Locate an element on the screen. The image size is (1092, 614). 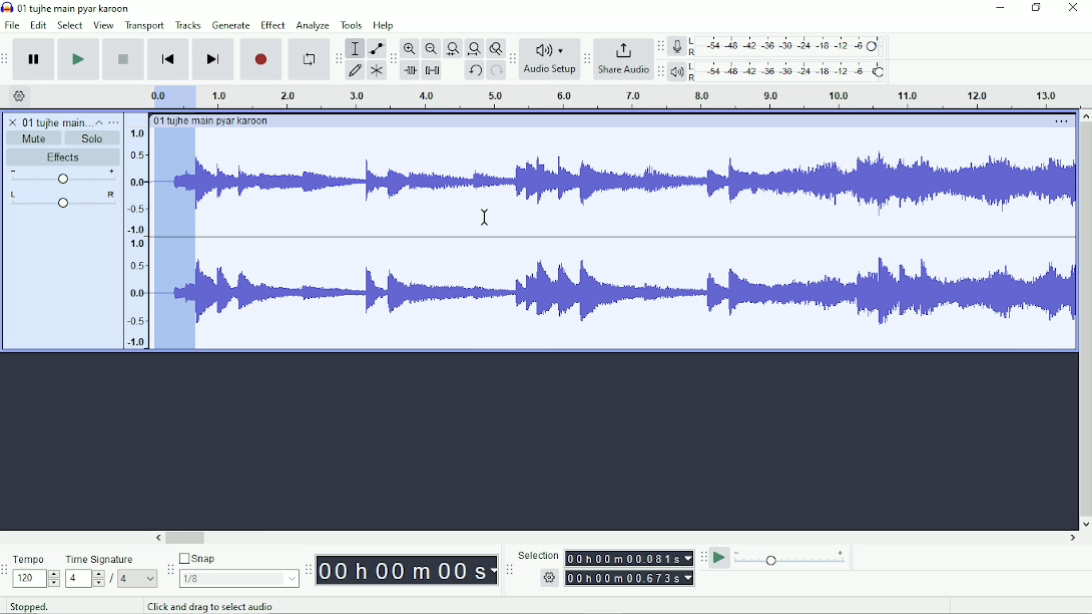
Audacity playback meter toolbar is located at coordinates (660, 71).